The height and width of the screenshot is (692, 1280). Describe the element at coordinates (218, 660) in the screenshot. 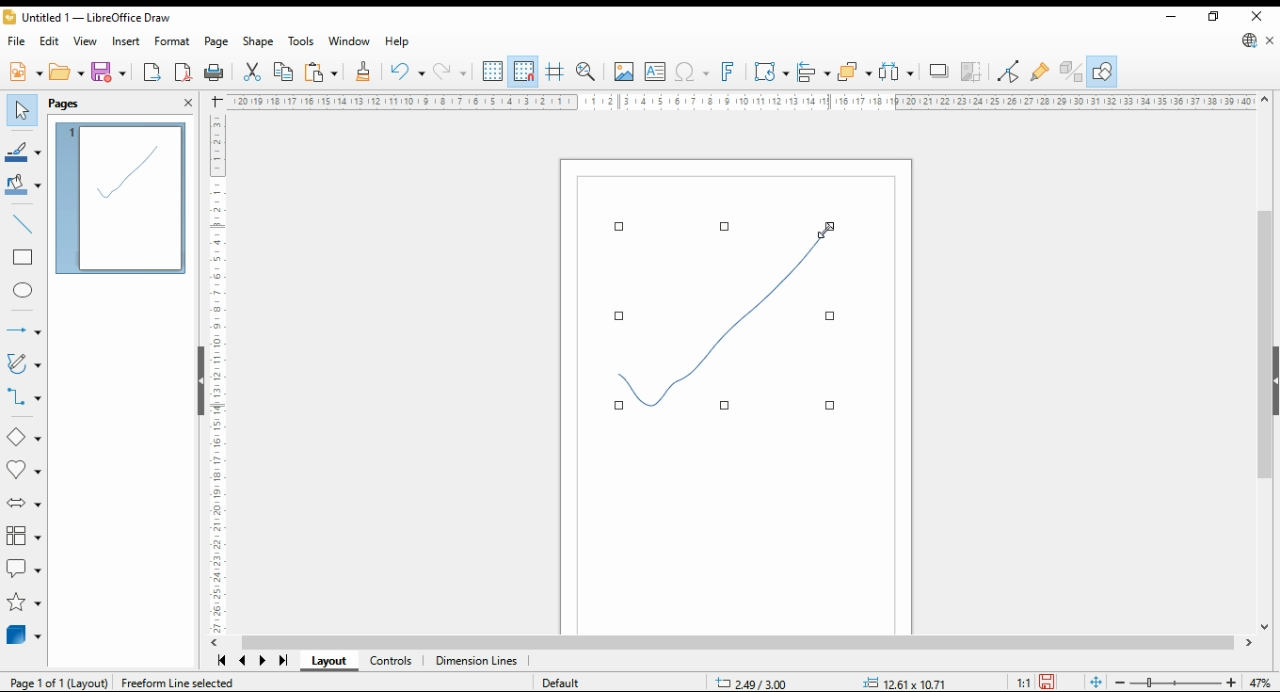

I see `first page` at that location.